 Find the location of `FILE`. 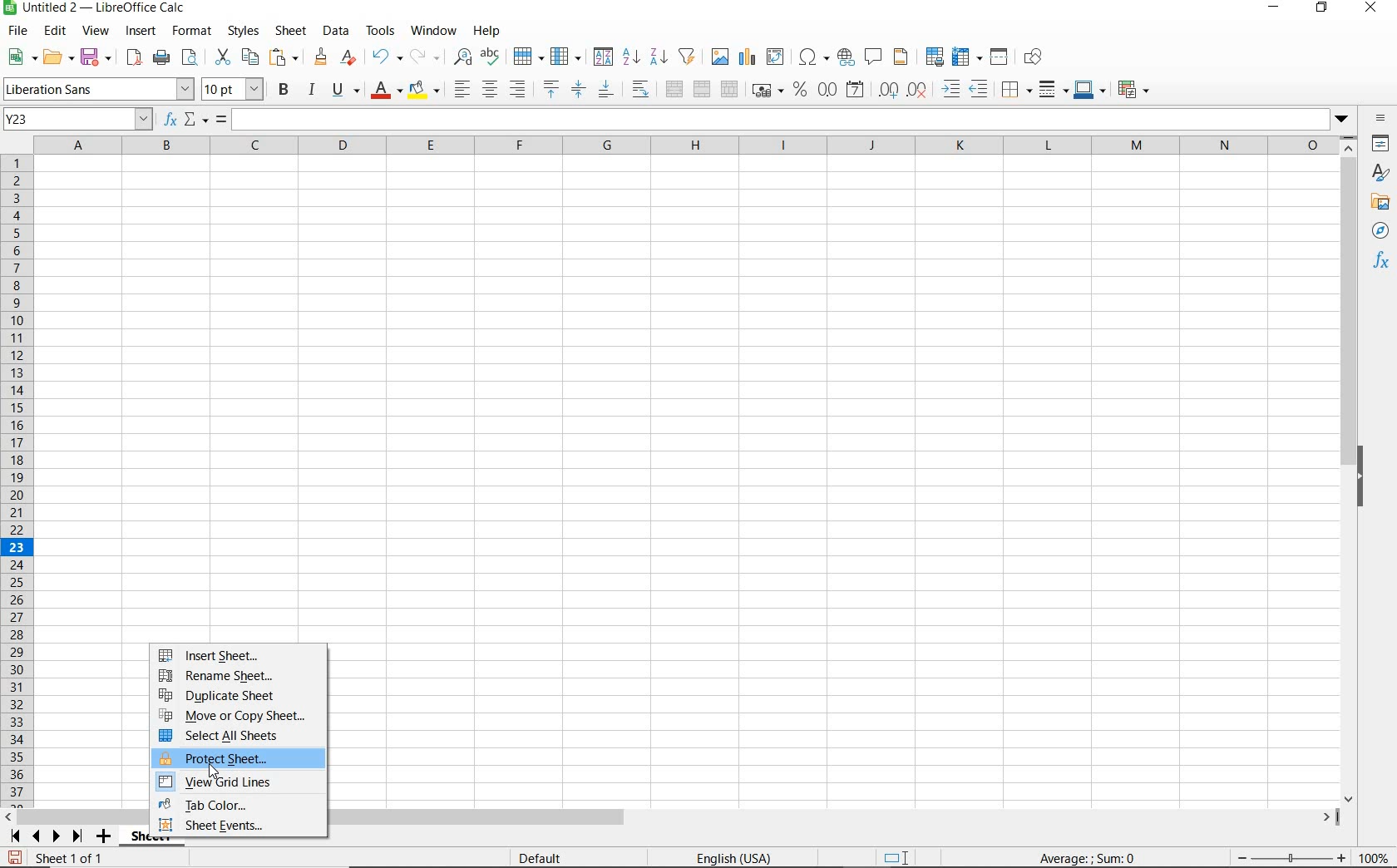

FILE is located at coordinates (16, 31).